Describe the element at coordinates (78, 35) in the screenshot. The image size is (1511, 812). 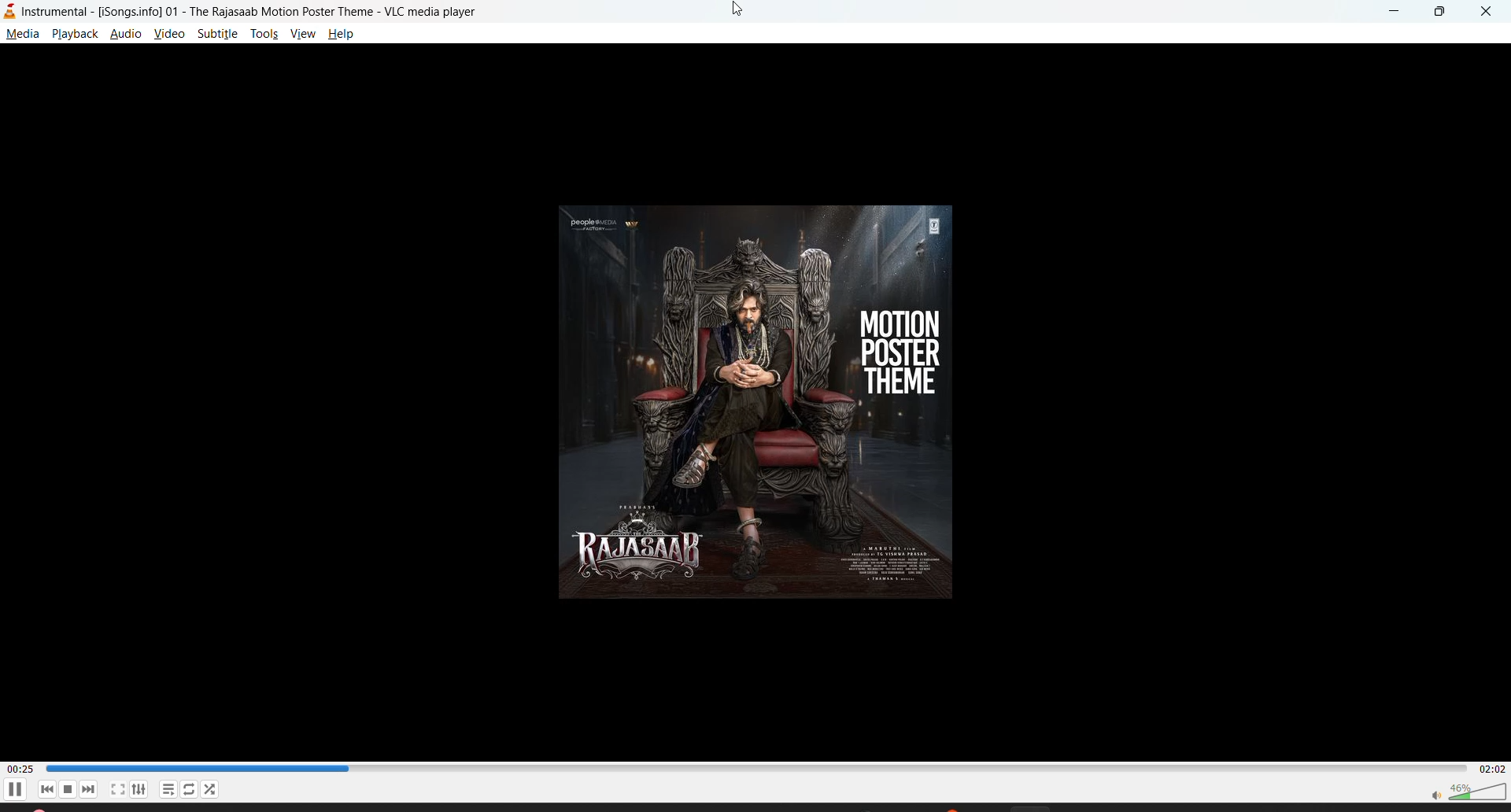
I see `playback` at that location.